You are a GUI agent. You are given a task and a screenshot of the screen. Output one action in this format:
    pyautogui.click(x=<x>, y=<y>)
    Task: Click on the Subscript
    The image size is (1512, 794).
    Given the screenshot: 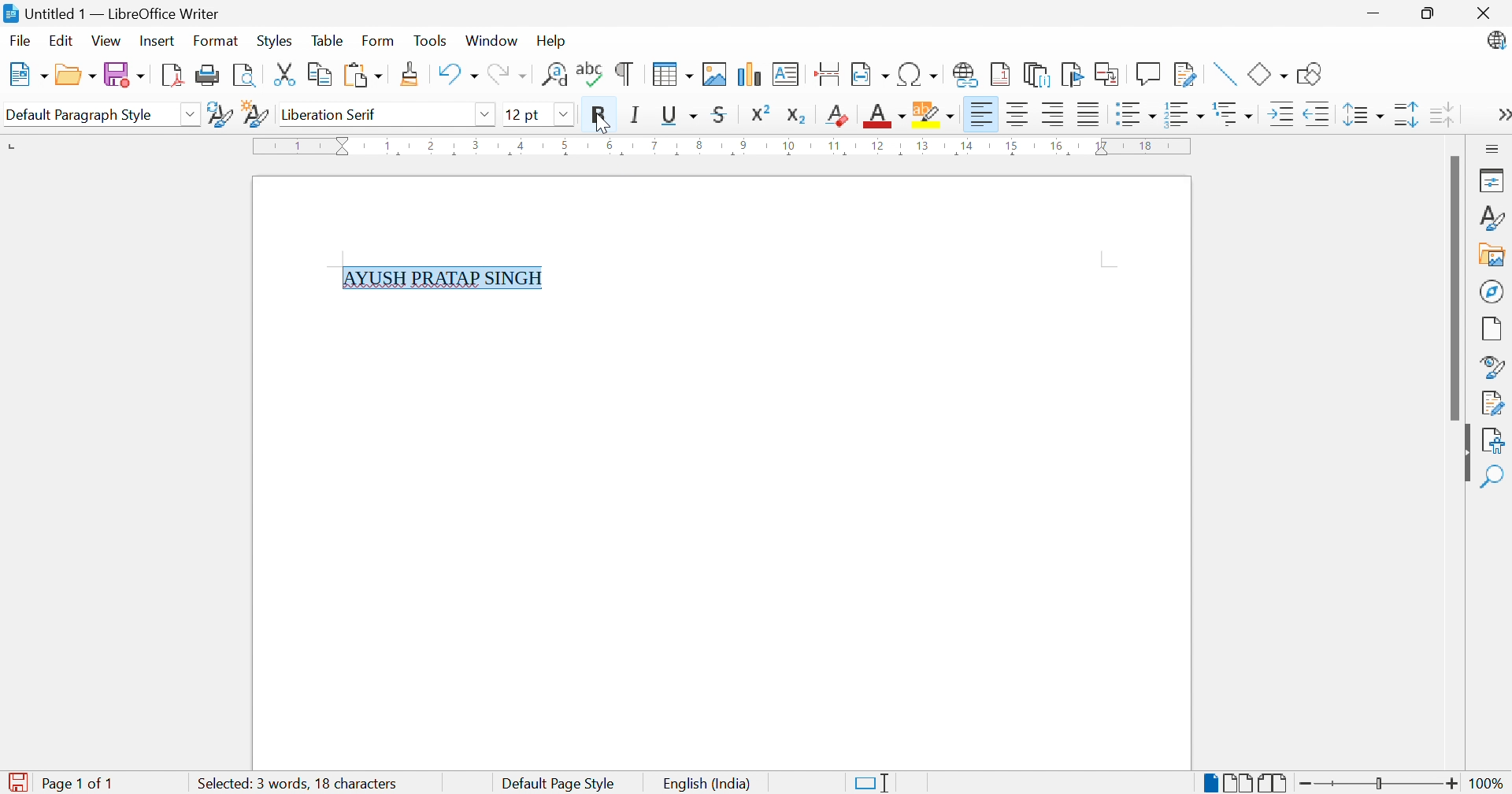 What is the action you would take?
    pyautogui.click(x=797, y=116)
    